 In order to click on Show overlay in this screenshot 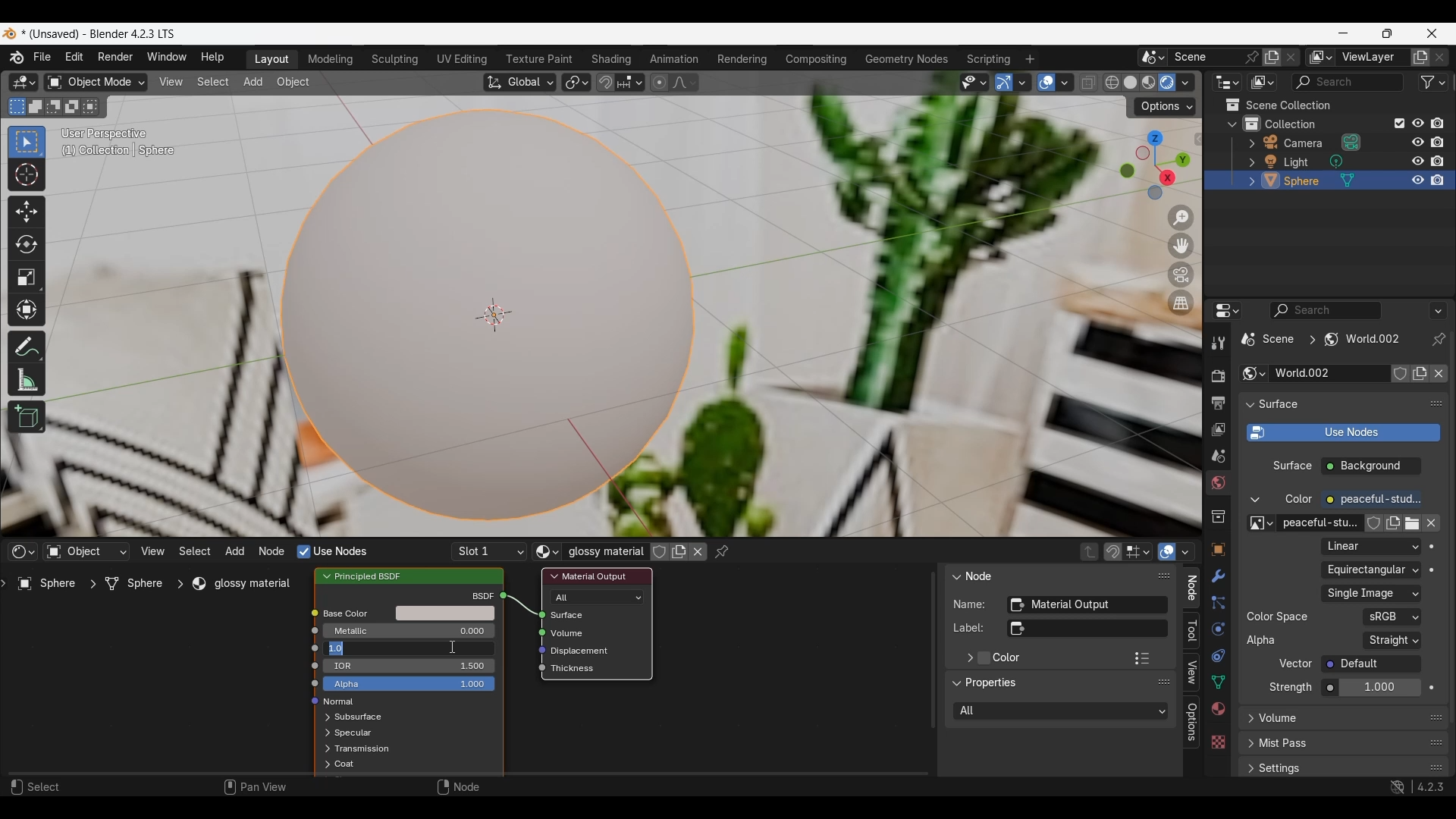, I will do `click(1046, 83)`.